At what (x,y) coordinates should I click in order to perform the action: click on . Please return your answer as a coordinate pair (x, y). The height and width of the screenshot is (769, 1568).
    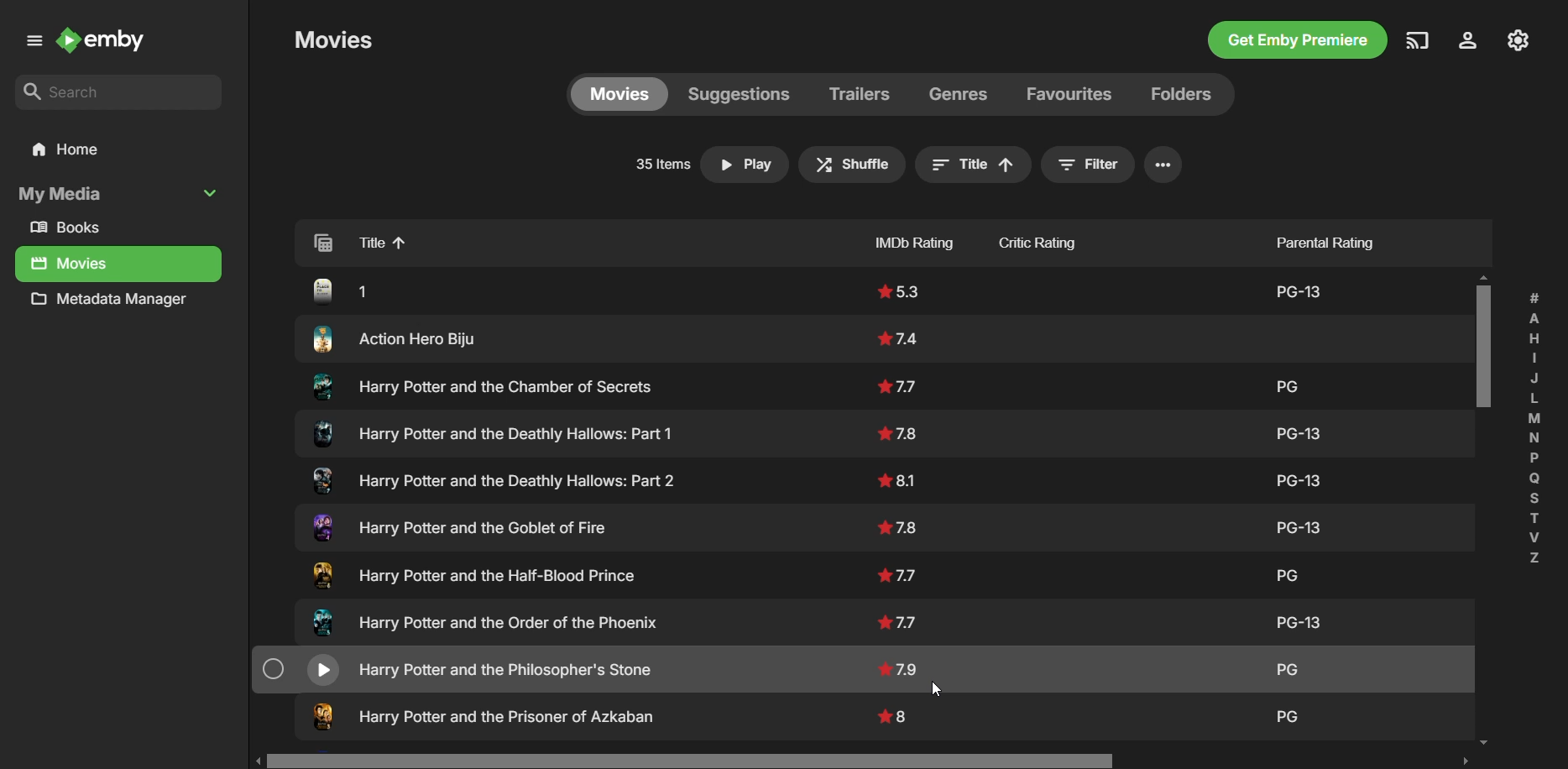
    Looking at the image, I should click on (900, 479).